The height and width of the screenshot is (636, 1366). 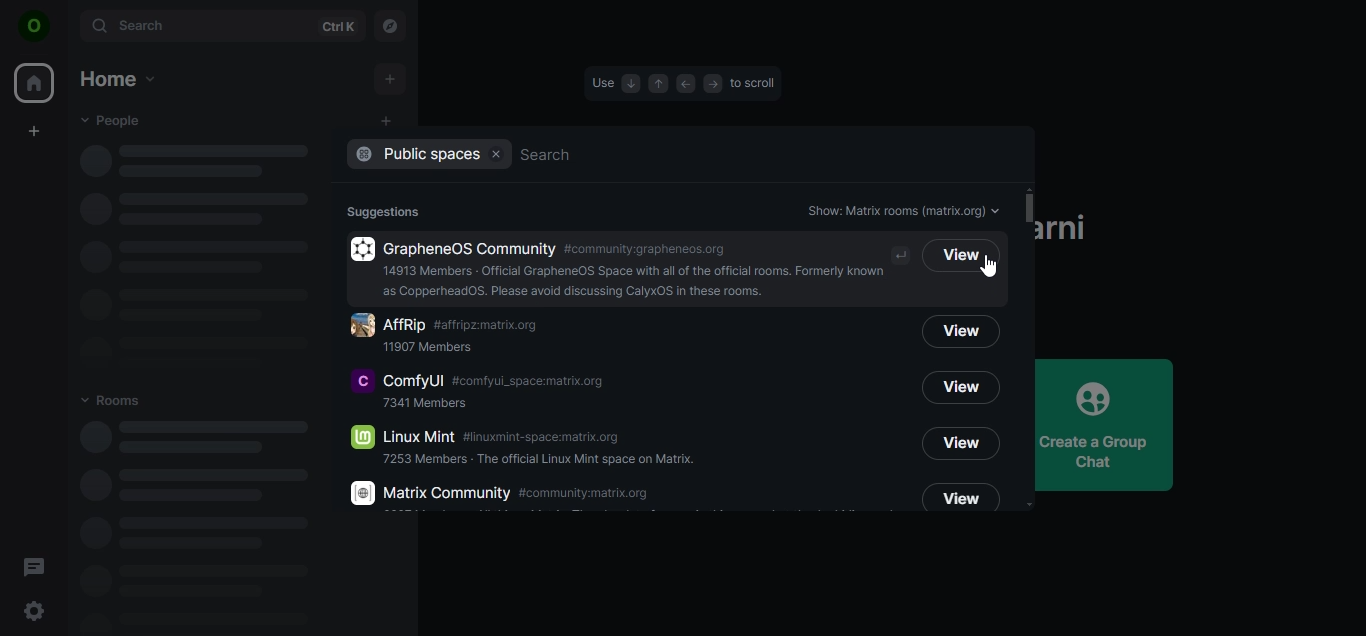 I want to click on use arrows to scroll, so click(x=683, y=83).